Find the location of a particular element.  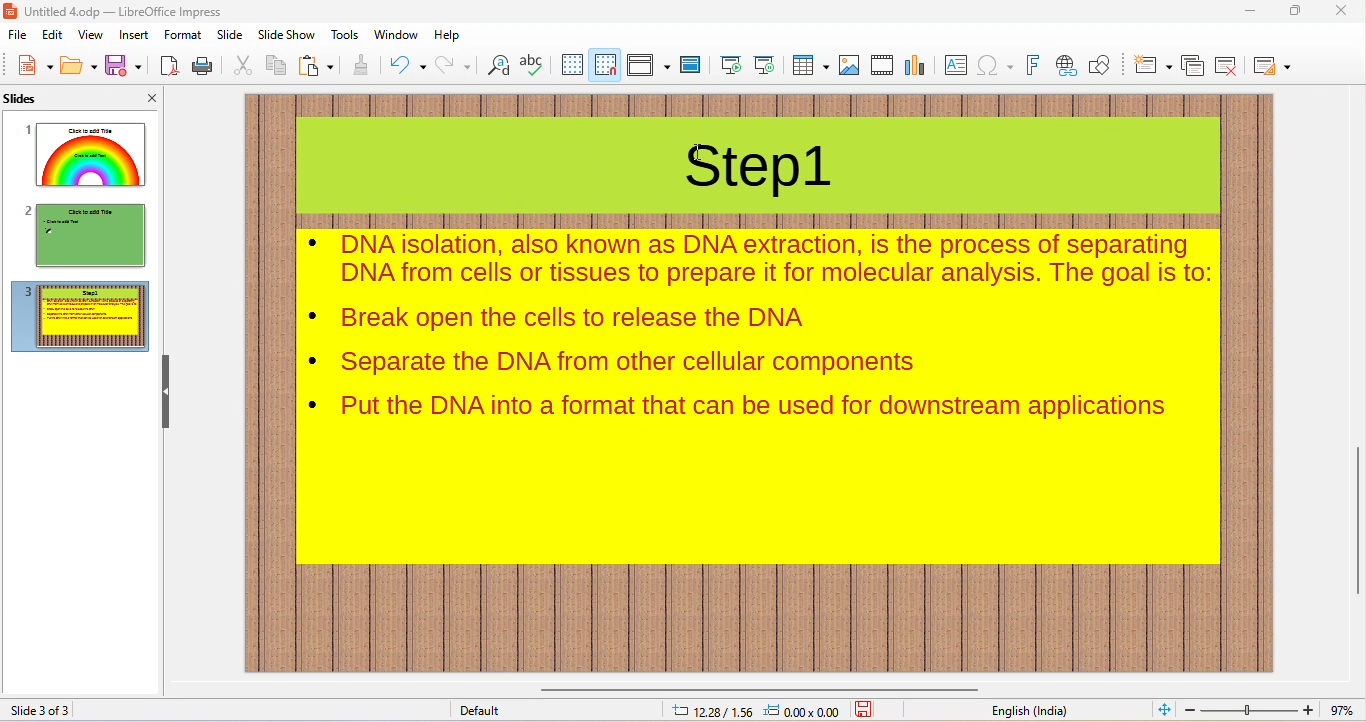

print is located at coordinates (205, 67).